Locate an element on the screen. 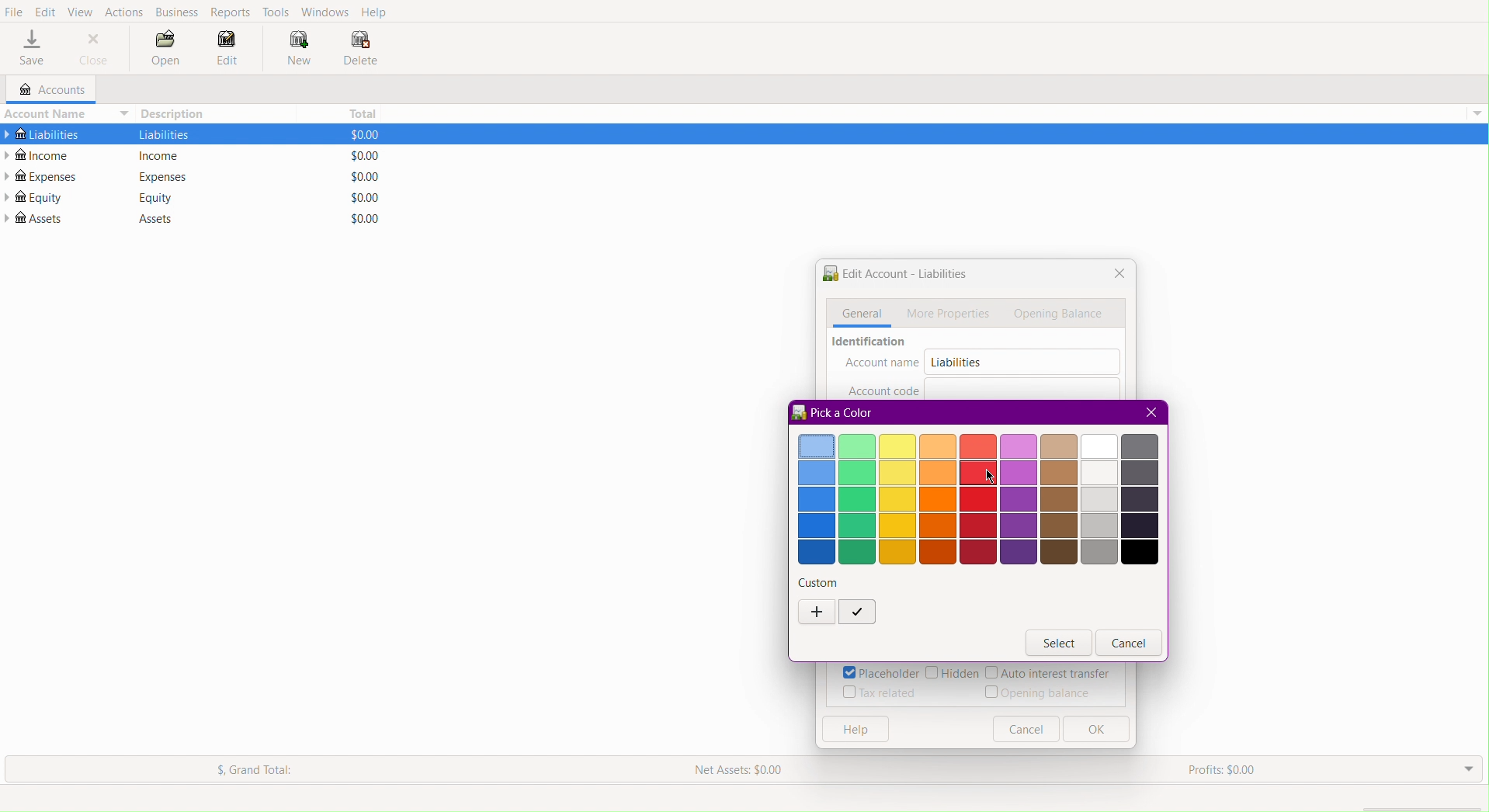  Tax related is located at coordinates (880, 692).